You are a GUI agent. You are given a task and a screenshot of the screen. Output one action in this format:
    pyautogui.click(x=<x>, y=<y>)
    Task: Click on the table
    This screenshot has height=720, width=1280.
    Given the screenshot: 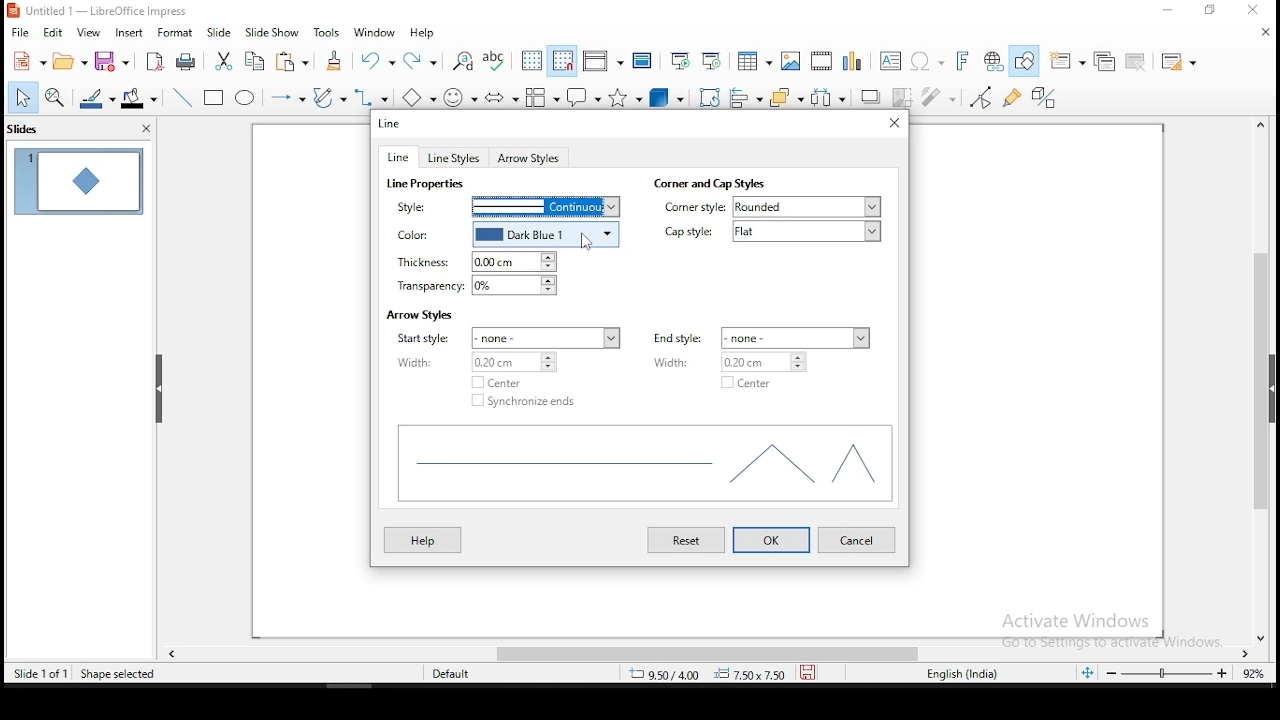 What is the action you would take?
    pyautogui.click(x=755, y=59)
    